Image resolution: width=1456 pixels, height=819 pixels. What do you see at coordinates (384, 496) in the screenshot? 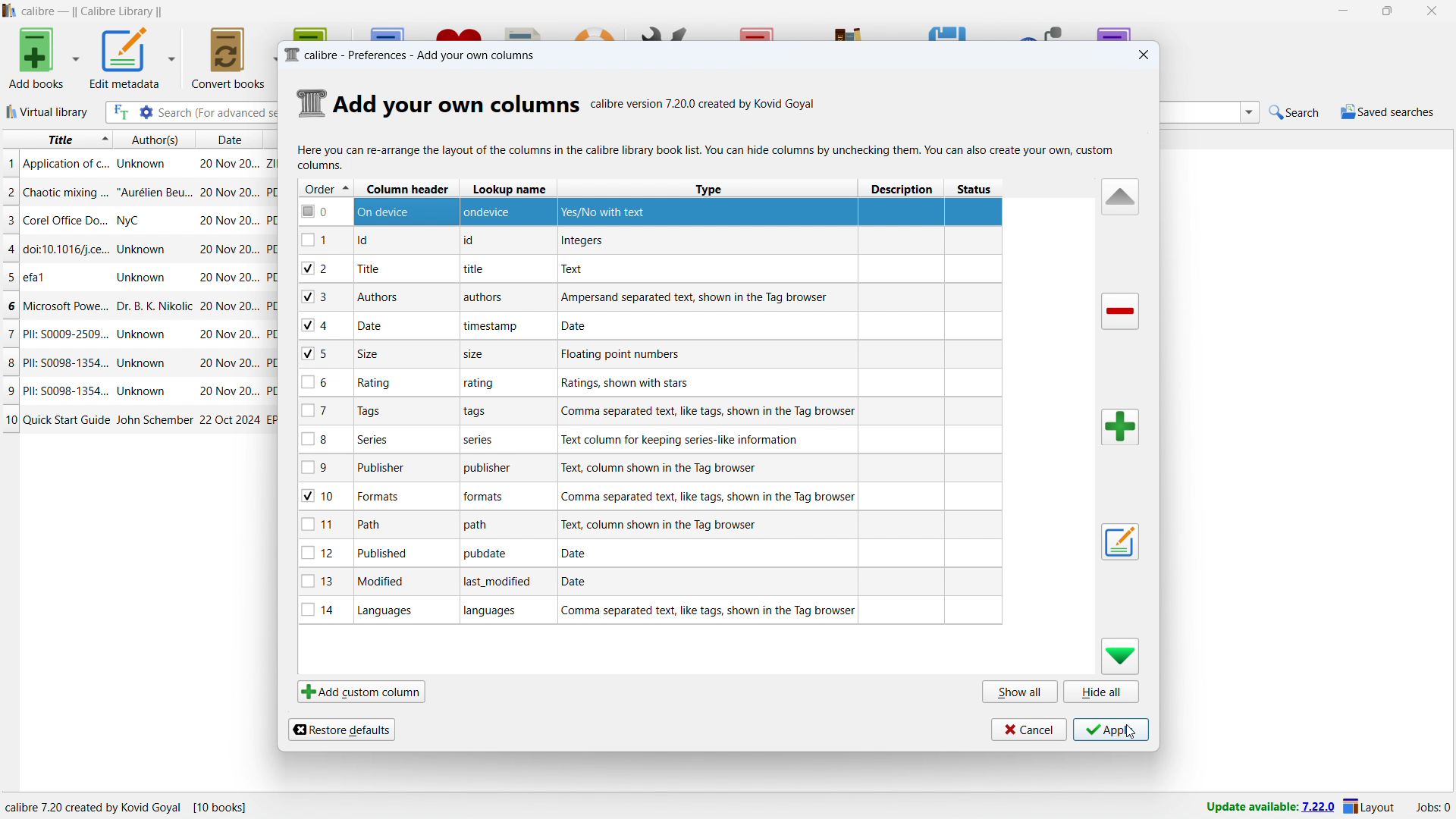
I see `formats` at bounding box center [384, 496].